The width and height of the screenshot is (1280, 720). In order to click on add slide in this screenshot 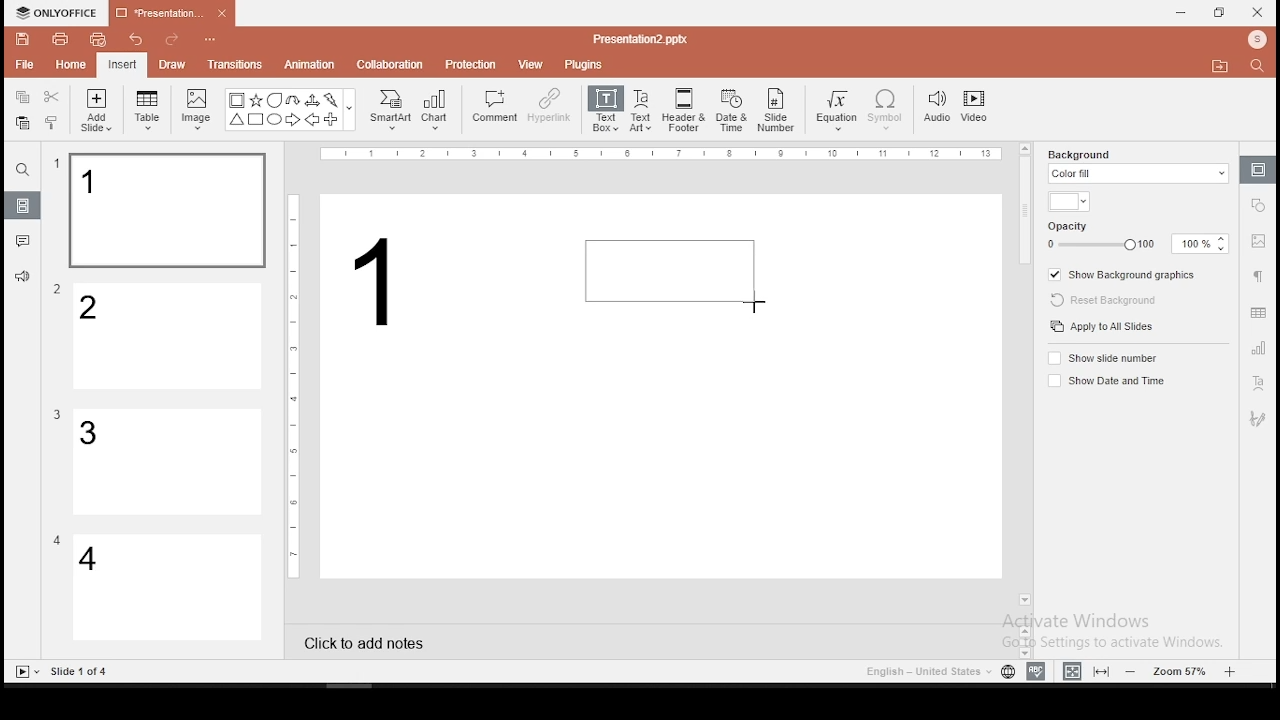, I will do `click(96, 110)`.